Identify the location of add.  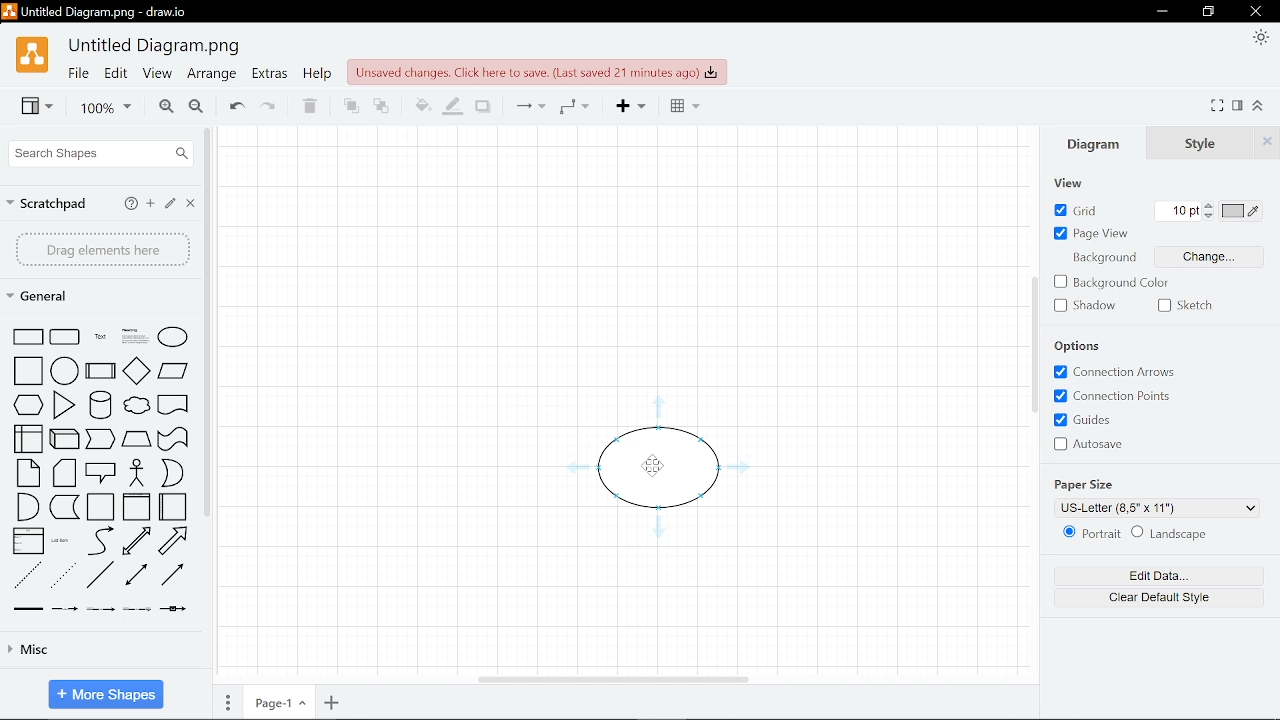
(149, 204).